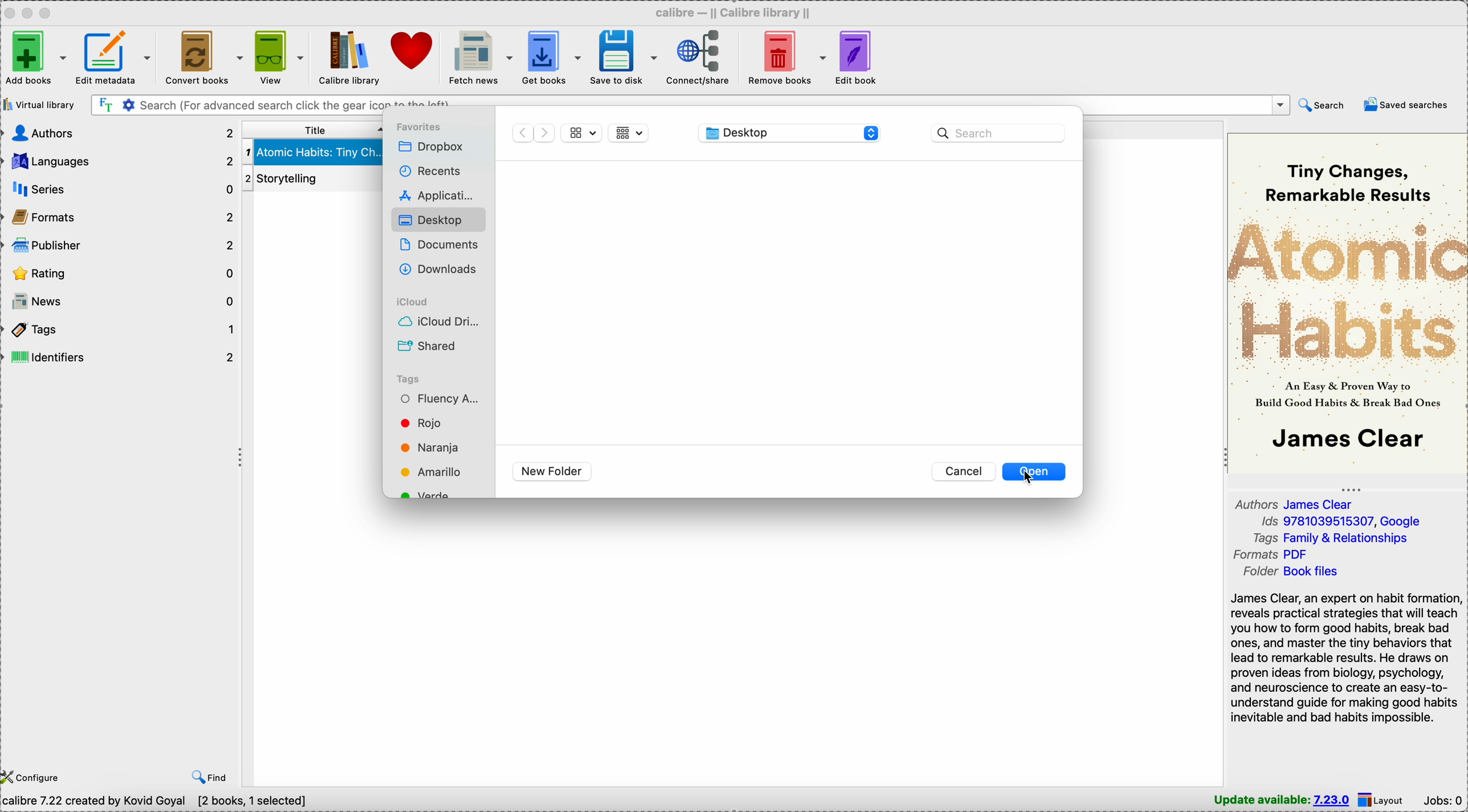 The image size is (1468, 812). I want to click on Cancel, so click(964, 472).